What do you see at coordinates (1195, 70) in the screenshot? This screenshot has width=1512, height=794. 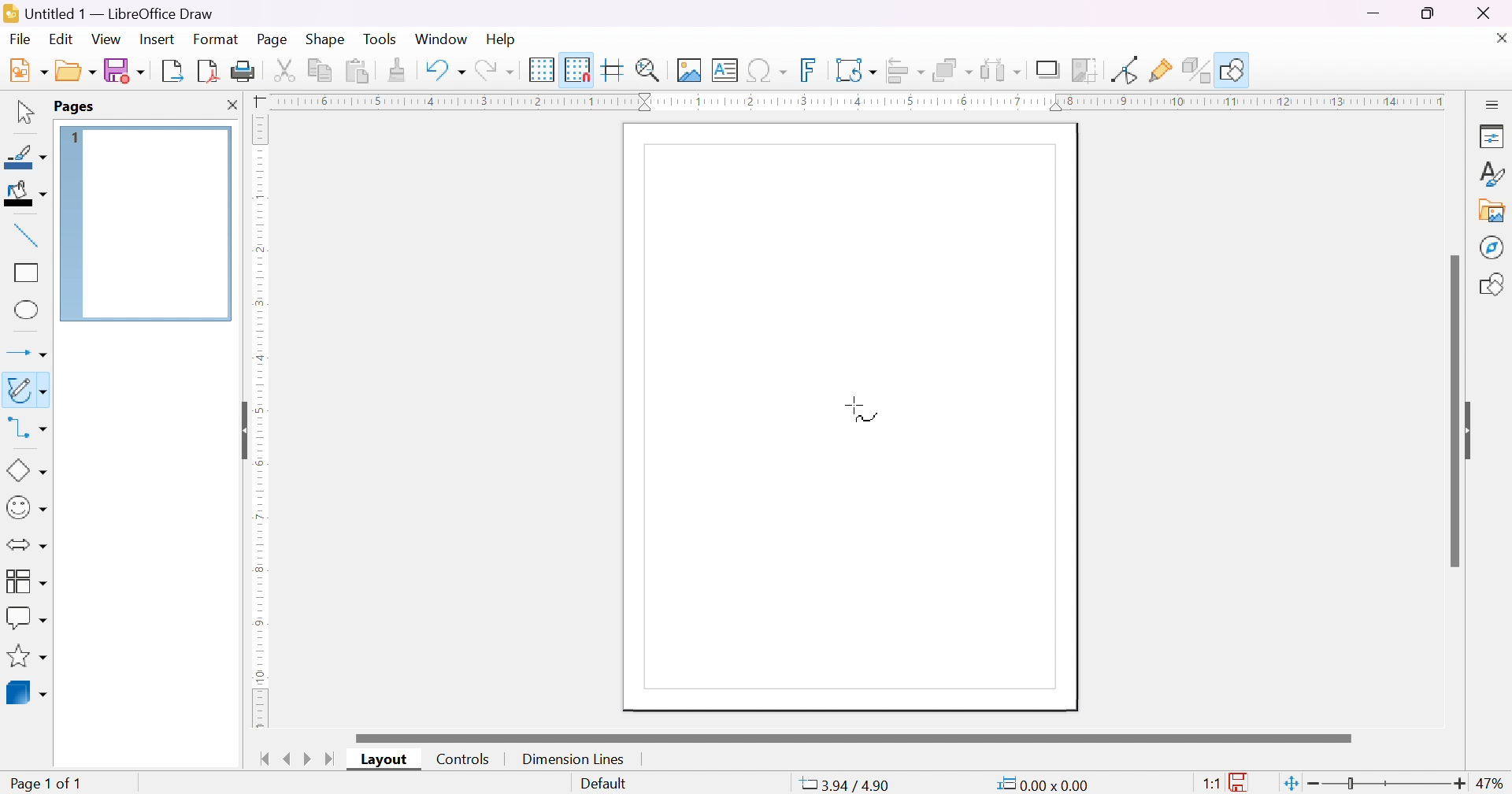 I see `toggle extrusion` at bounding box center [1195, 70].